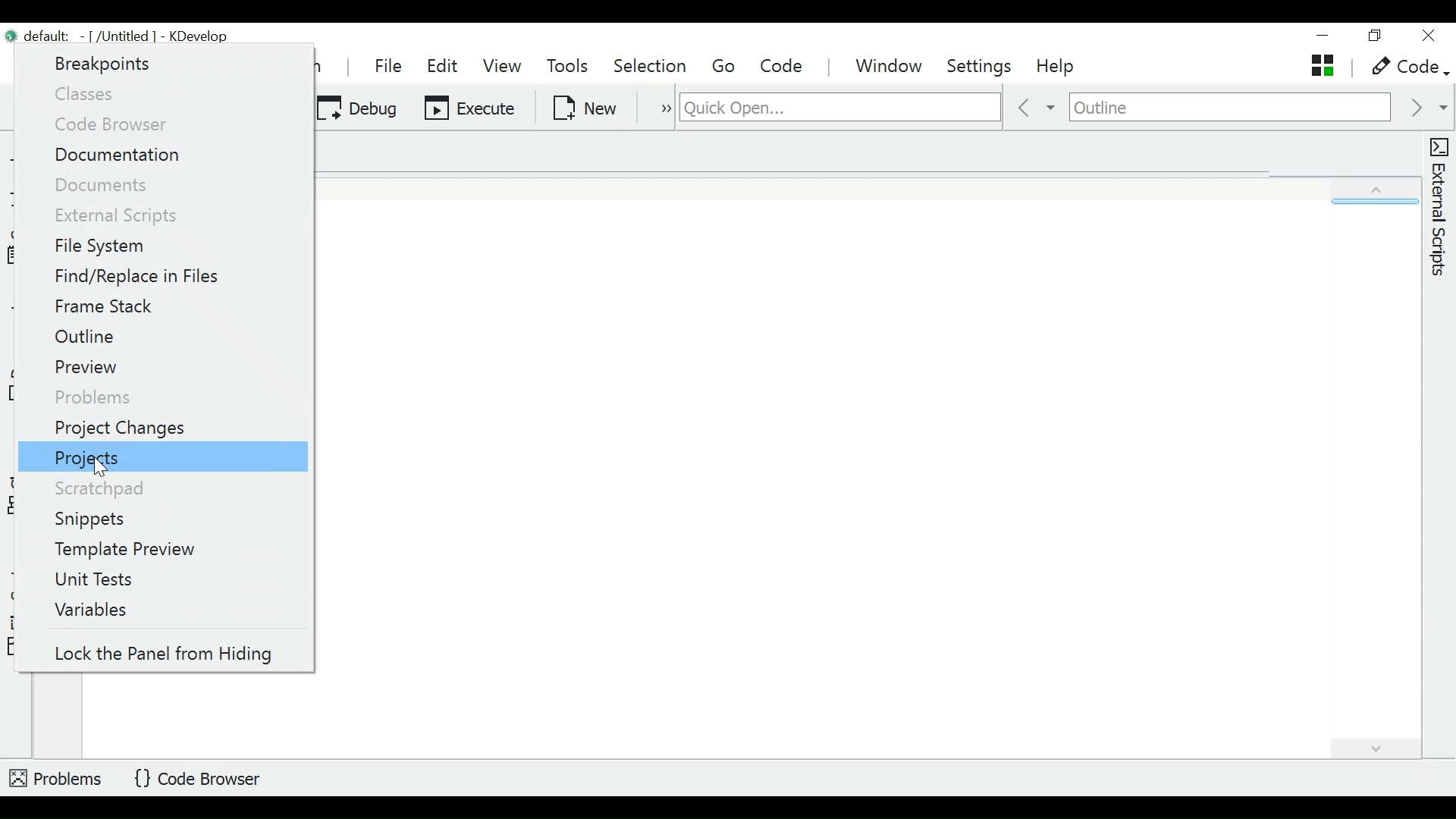 The width and height of the screenshot is (1456, 819). I want to click on Documentation, so click(117, 154).